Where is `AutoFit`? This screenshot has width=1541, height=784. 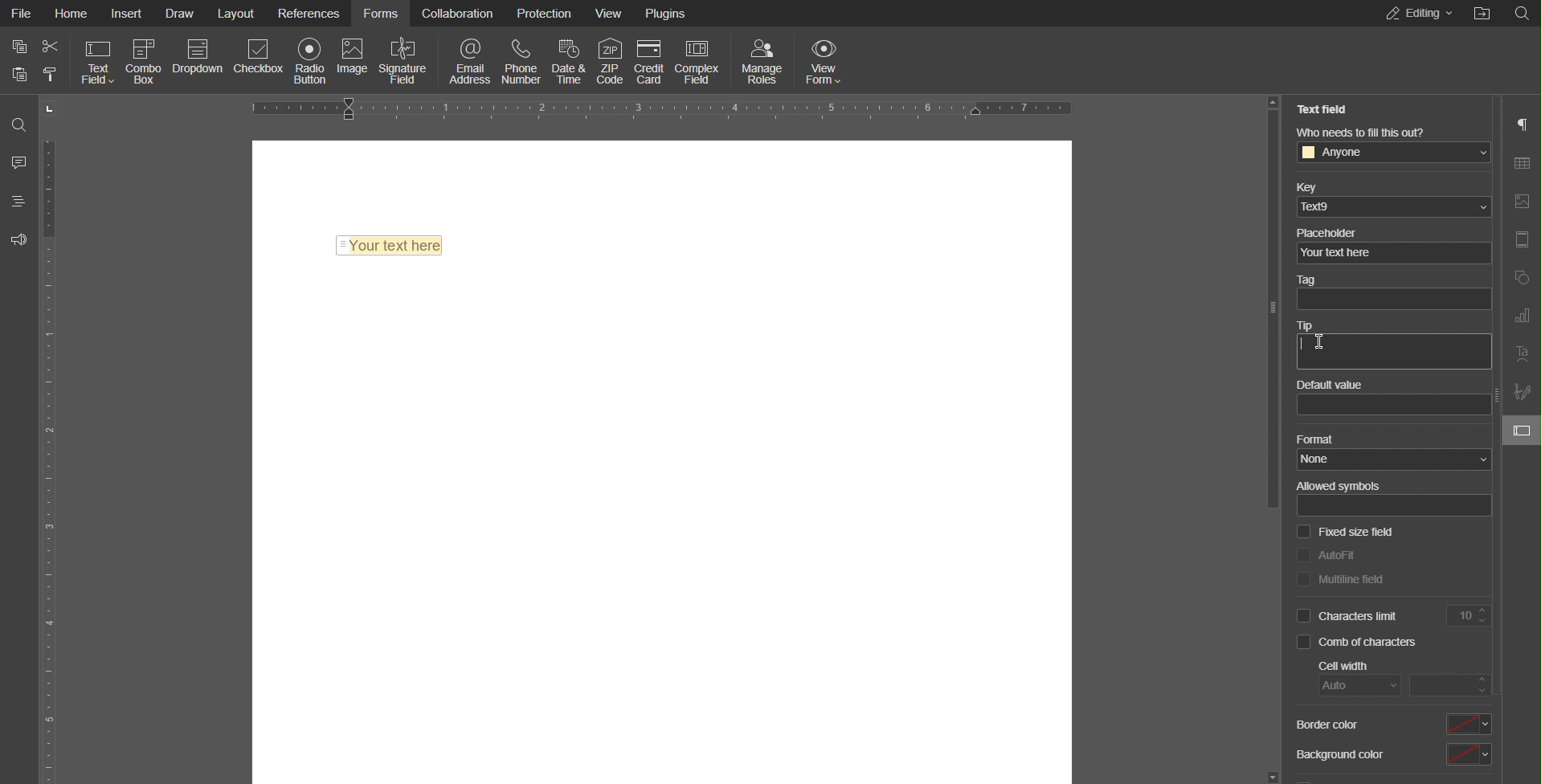 AutoFit is located at coordinates (1348, 555).